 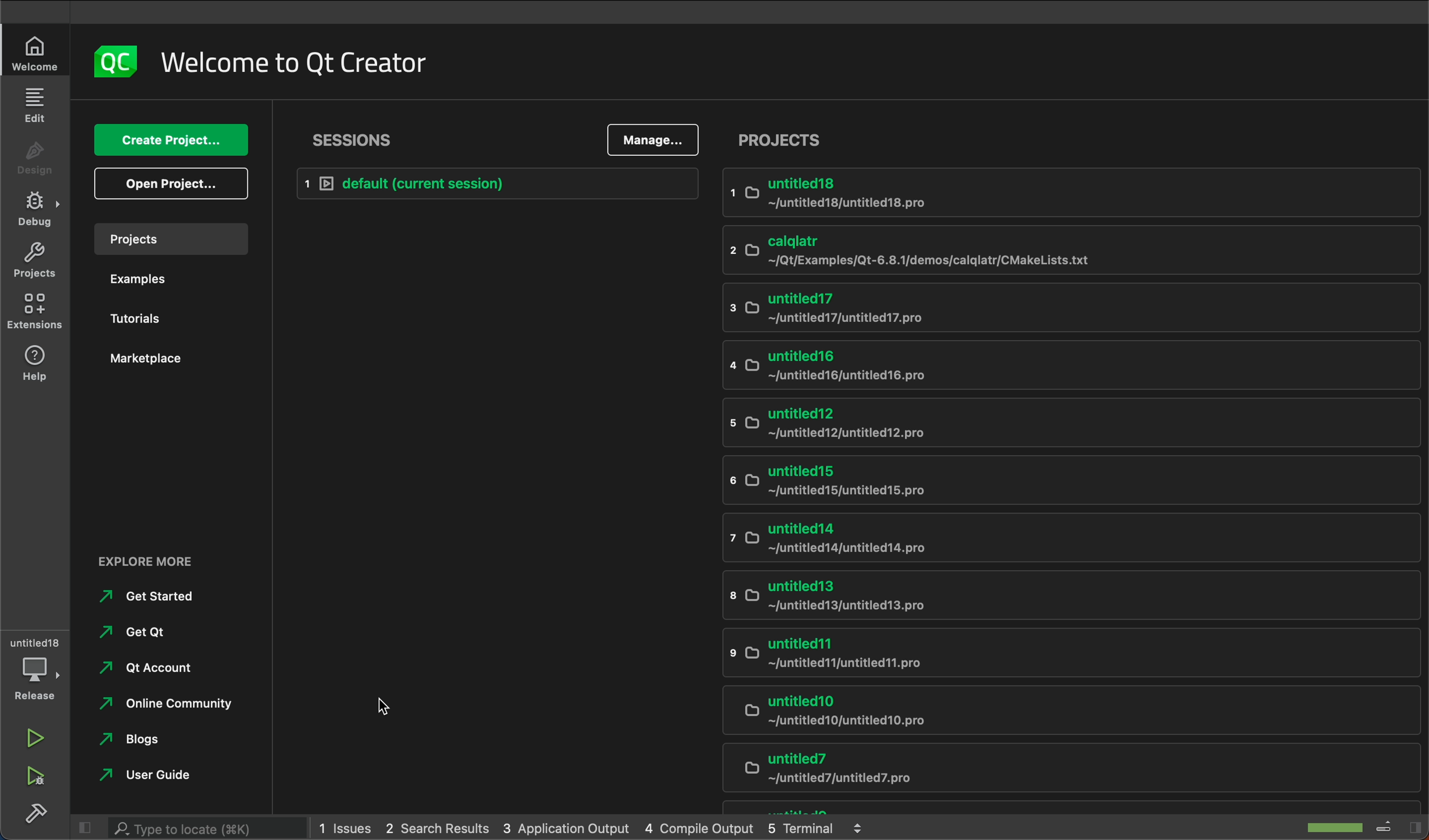 What do you see at coordinates (37, 105) in the screenshot?
I see `edit` at bounding box center [37, 105].